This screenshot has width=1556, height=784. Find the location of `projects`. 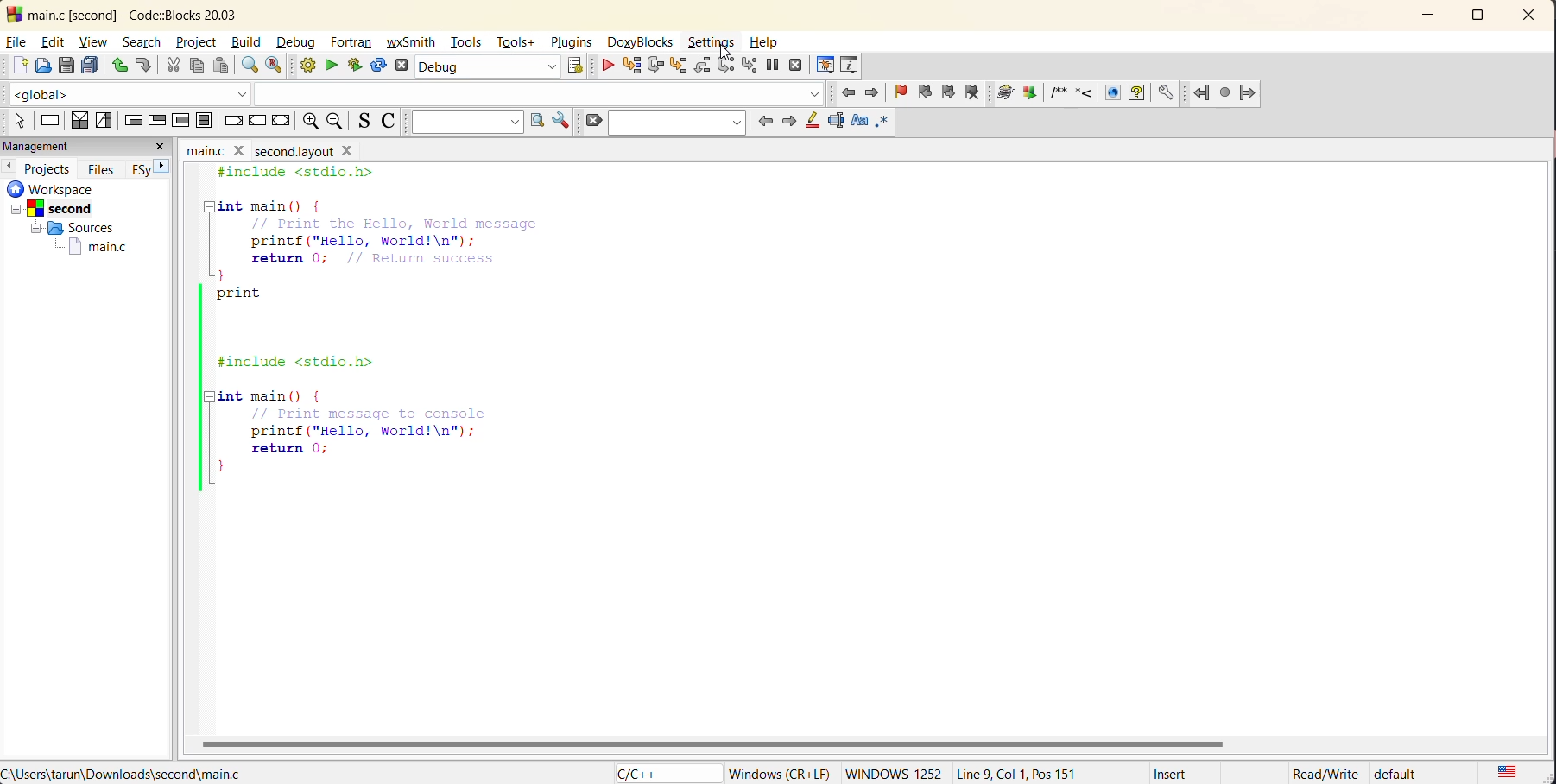

projects is located at coordinates (52, 167).